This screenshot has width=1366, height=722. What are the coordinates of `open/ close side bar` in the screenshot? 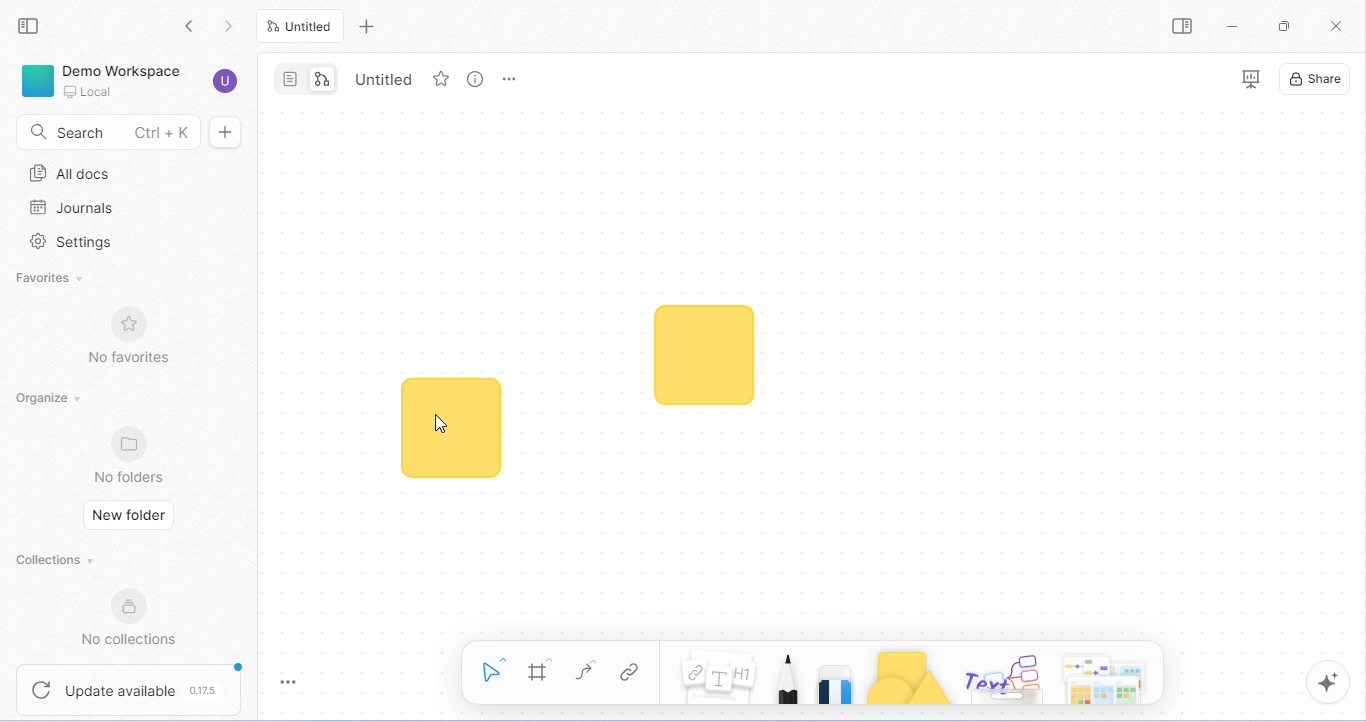 It's located at (1182, 26).